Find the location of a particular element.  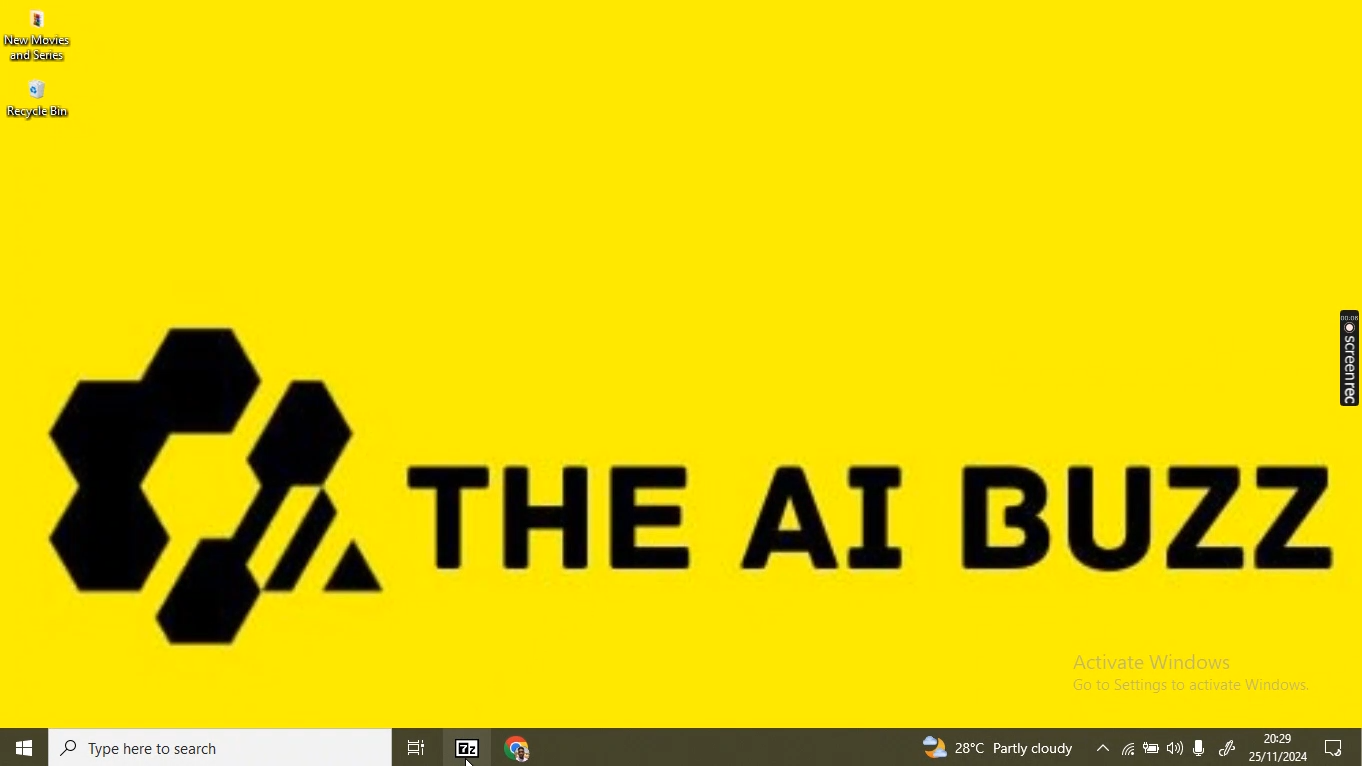

task view is located at coordinates (418, 749).